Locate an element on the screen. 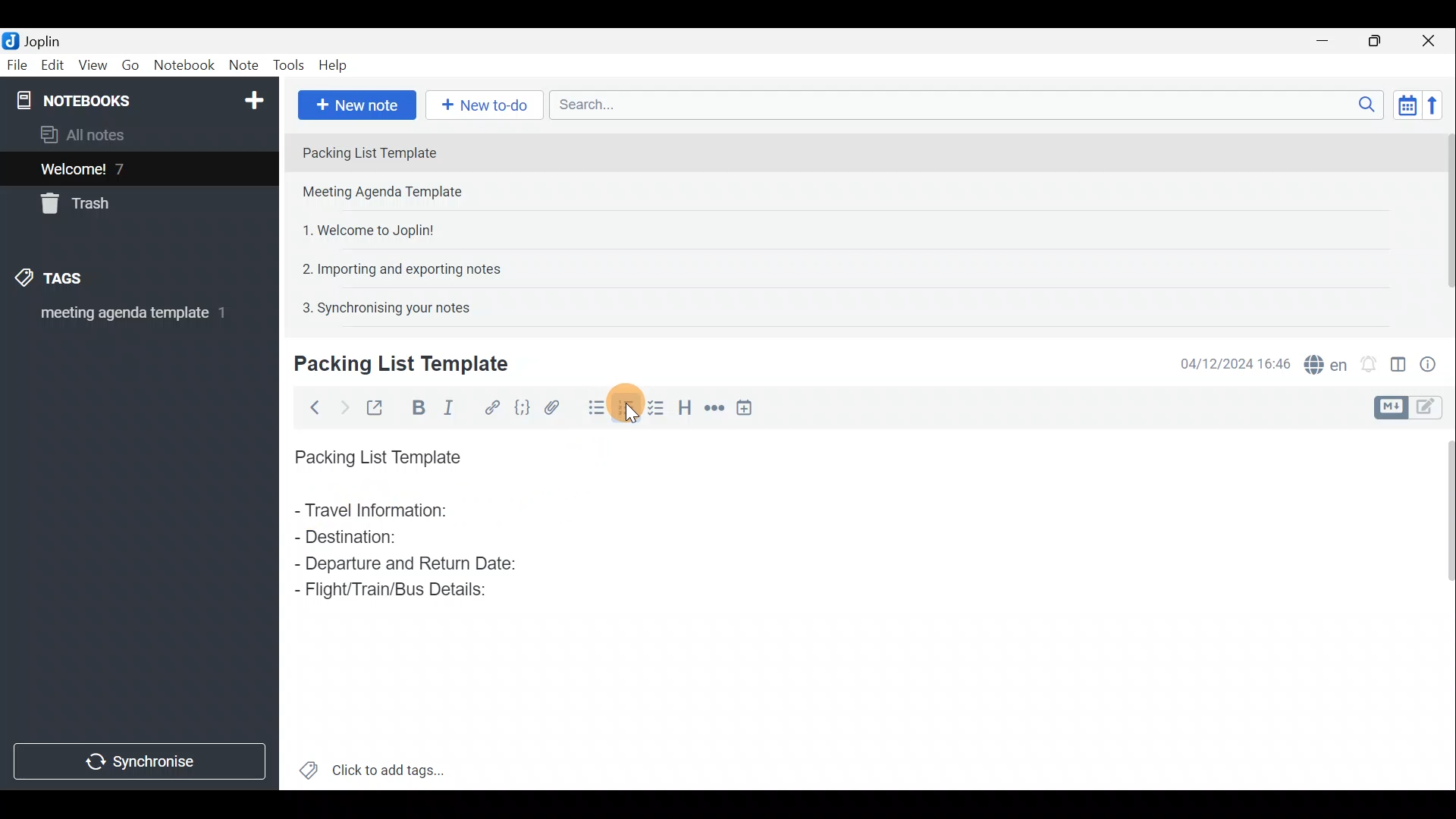 This screenshot has height=819, width=1456. Toggle editor layout is located at coordinates (1398, 359).